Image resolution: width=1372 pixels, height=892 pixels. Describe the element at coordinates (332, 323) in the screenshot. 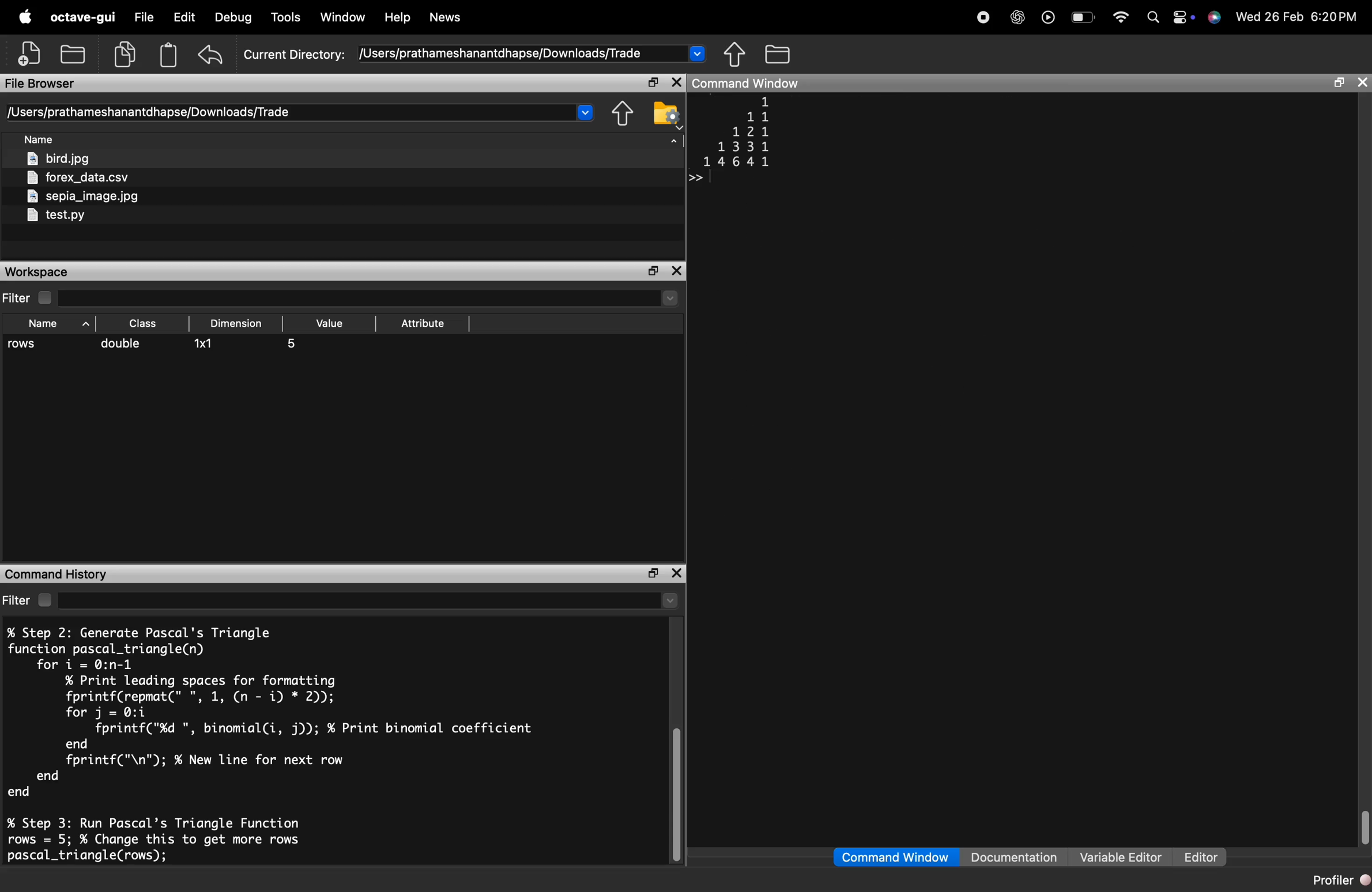

I see `Value` at that location.